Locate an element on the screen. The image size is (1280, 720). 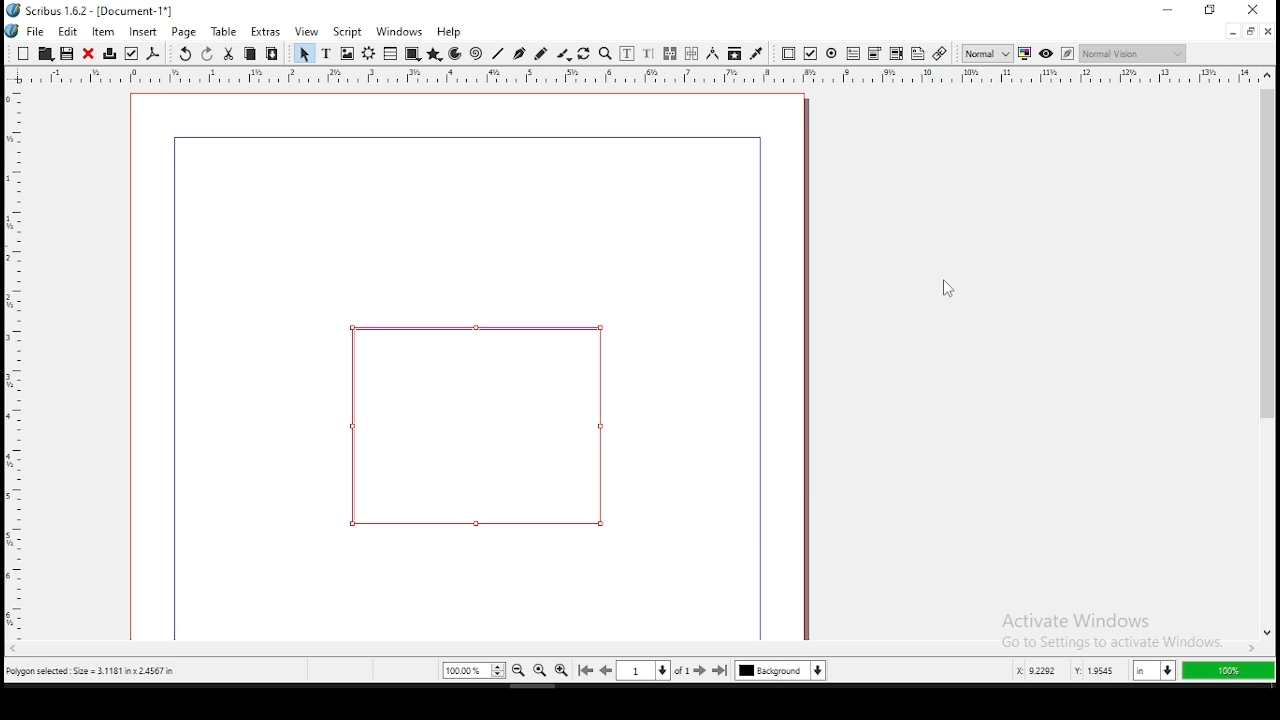
zoom in is located at coordinates (562, 671).